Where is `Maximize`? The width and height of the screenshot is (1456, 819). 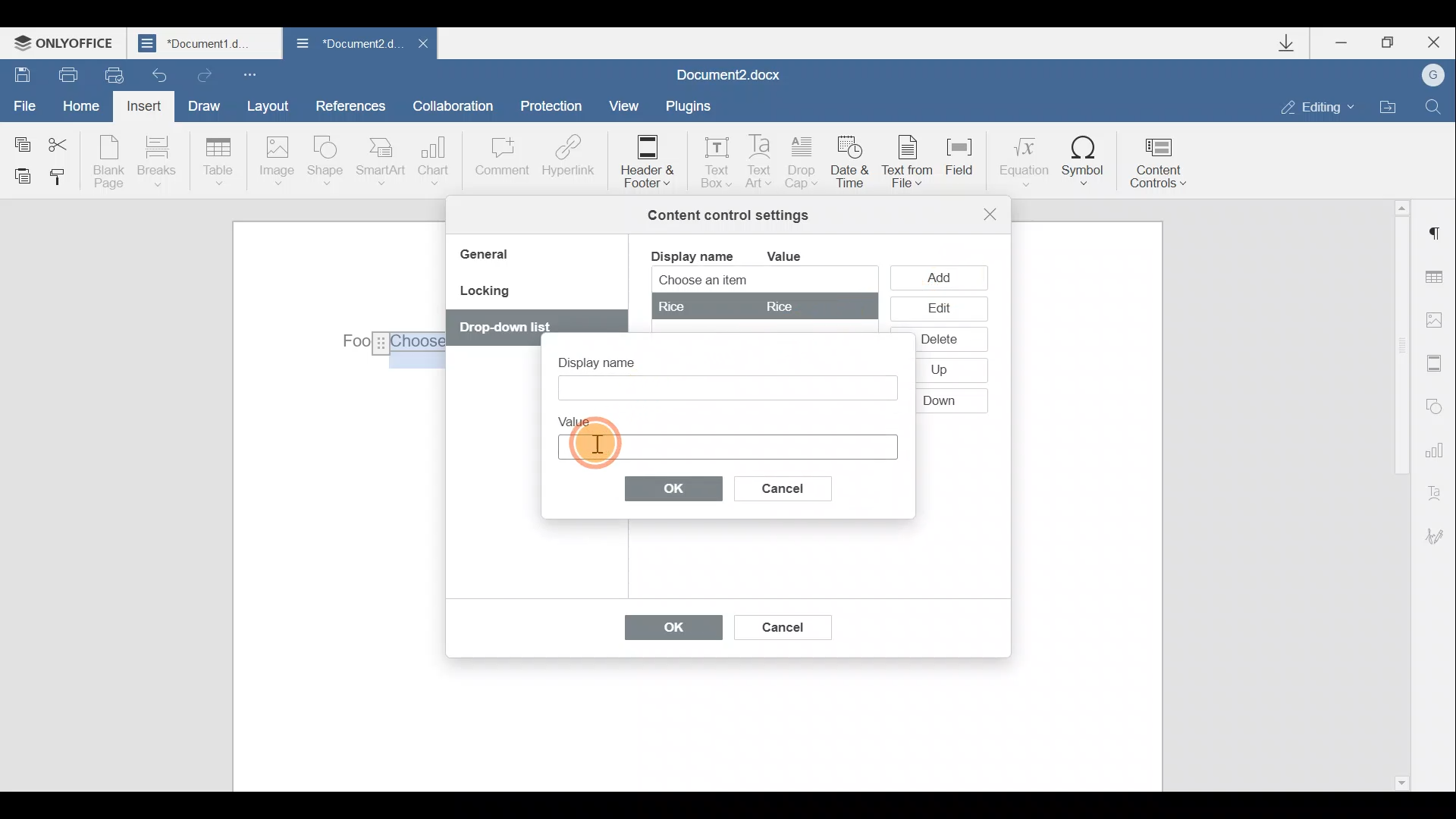 Maximize is located at coordinates (1389, 43).